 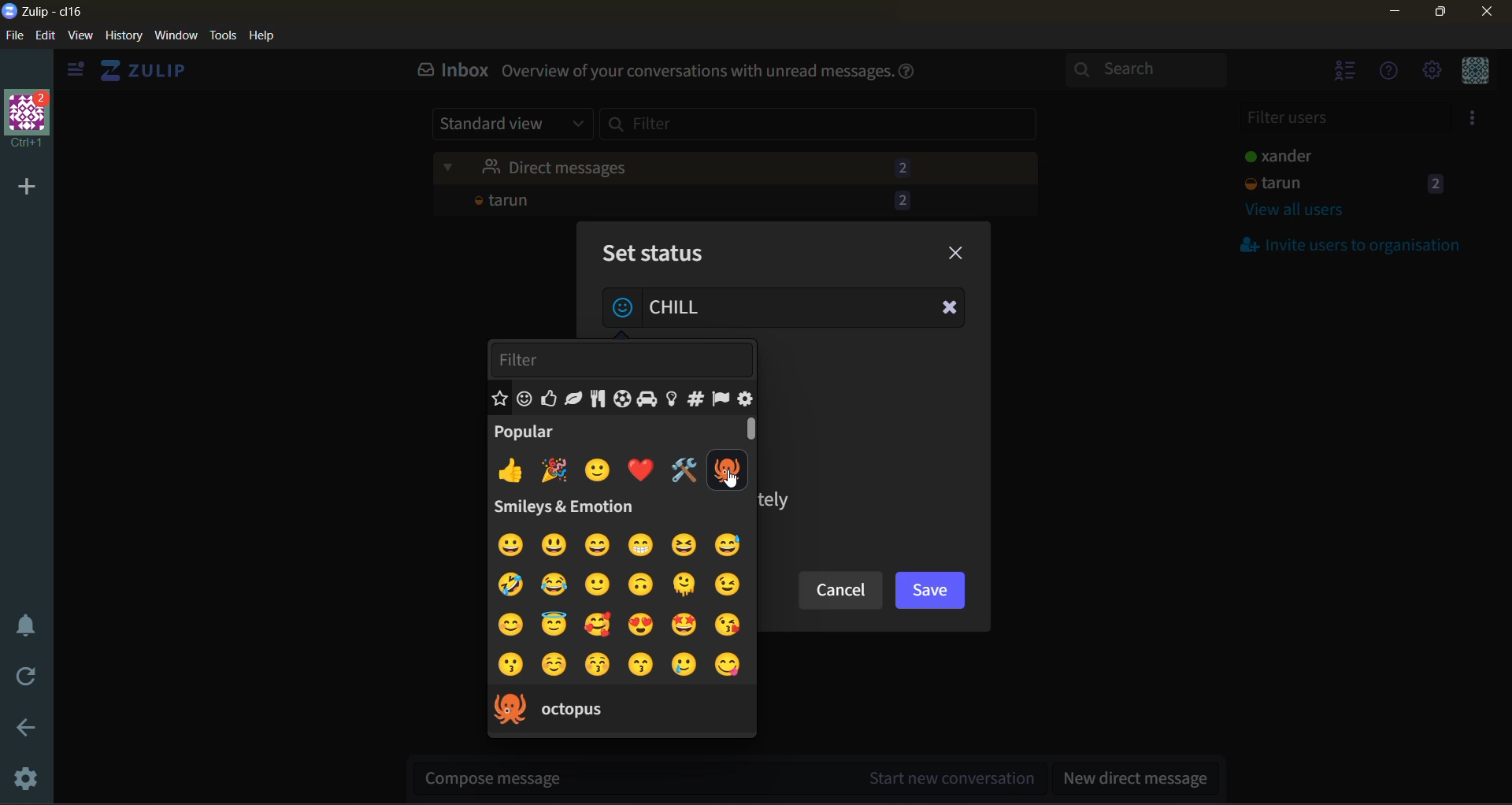 I want to click on minimize, so click(x=1397, y=13).